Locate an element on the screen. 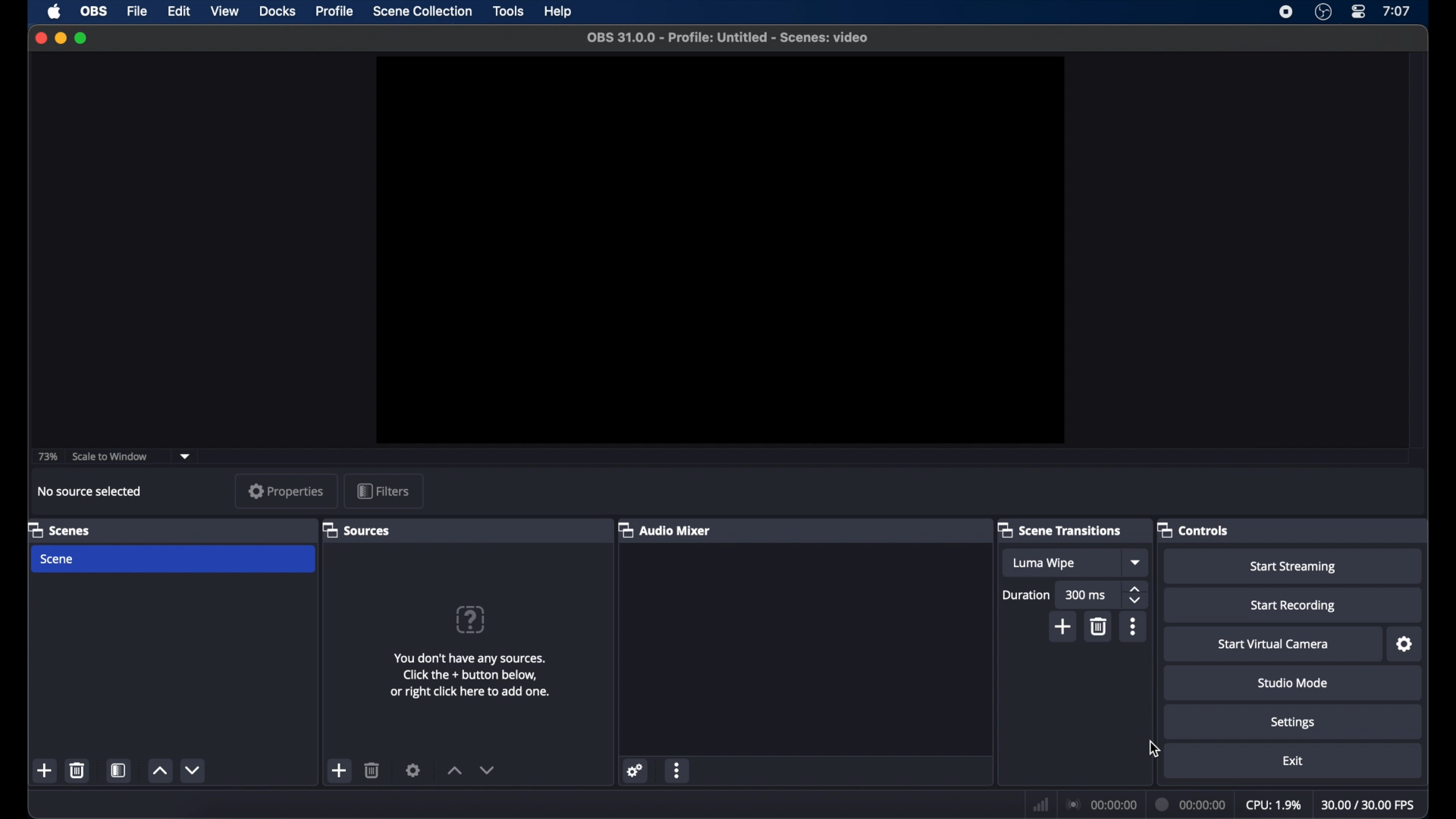 The height and width of the screenshot is (819, 1456). no source selected is located at coordinates (89, 492).